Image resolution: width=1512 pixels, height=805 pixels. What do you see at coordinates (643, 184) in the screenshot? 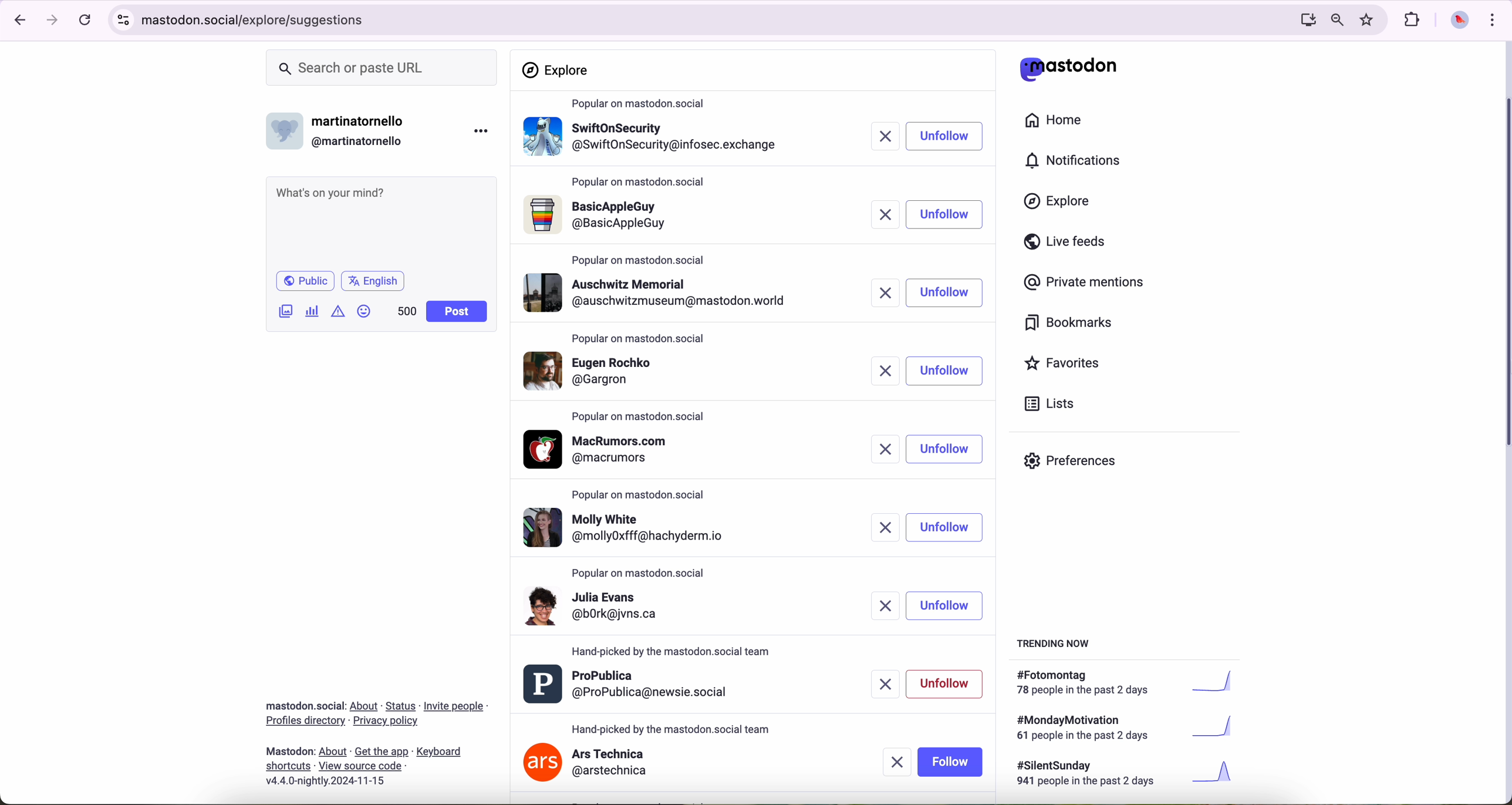
I see `popular on mastodon.social` at bounding box center [643, 184].